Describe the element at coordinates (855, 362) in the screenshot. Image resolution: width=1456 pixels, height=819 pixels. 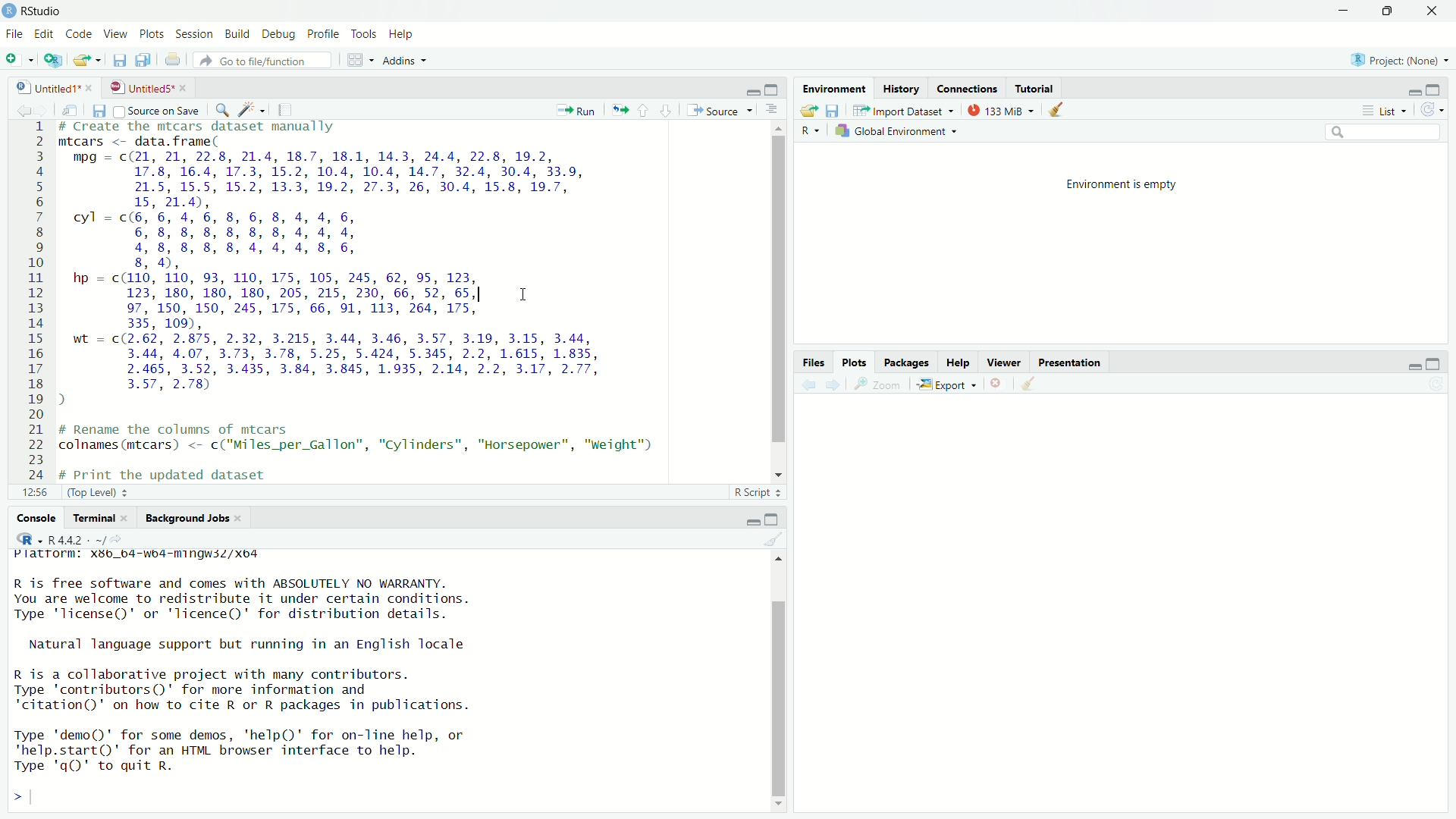
I see `Plots` at that location.